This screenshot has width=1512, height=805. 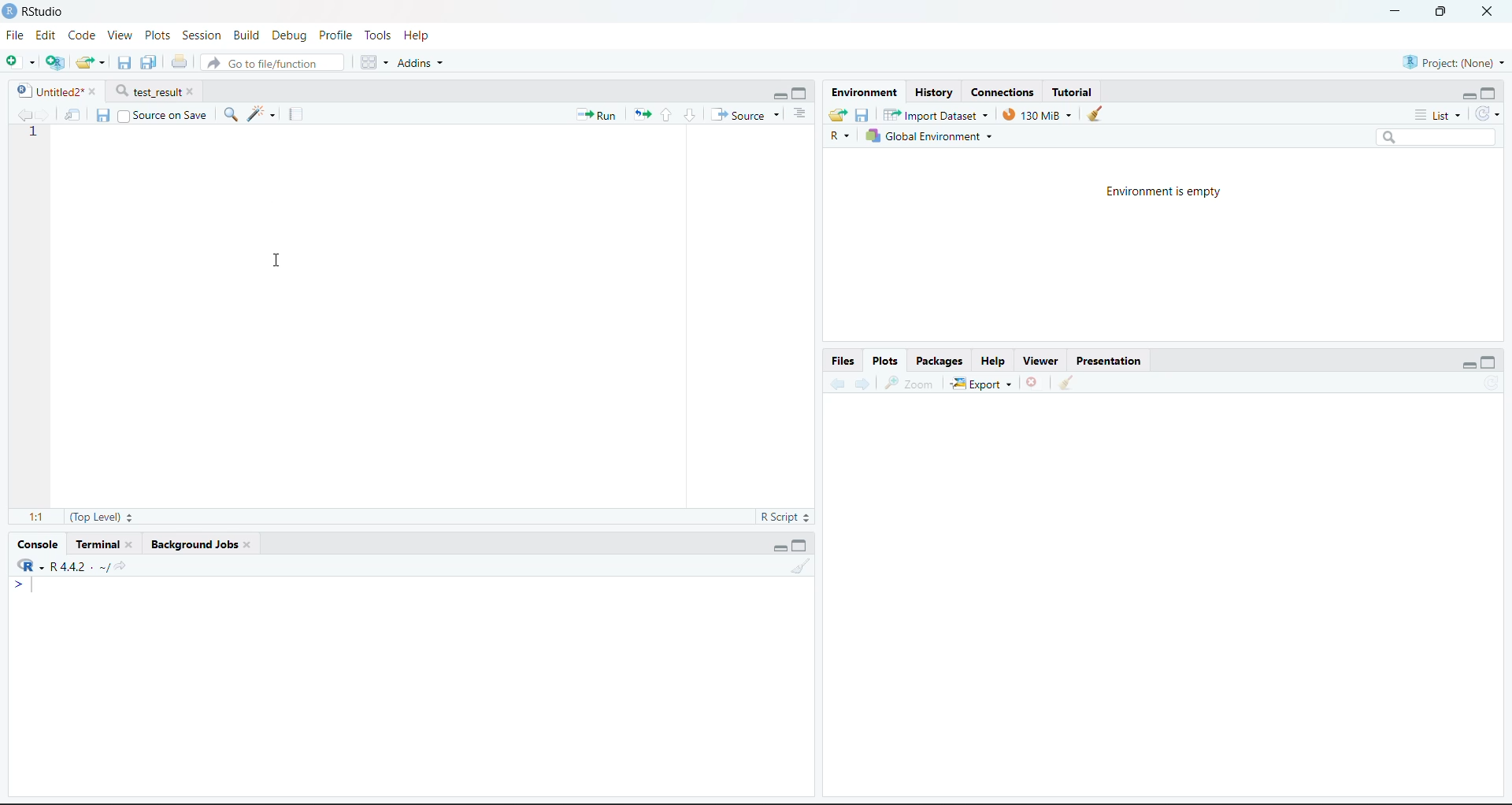 What do you see at coordinates (837, 135) in the screenshot?
I see `R` at bounding box center [837, 135].